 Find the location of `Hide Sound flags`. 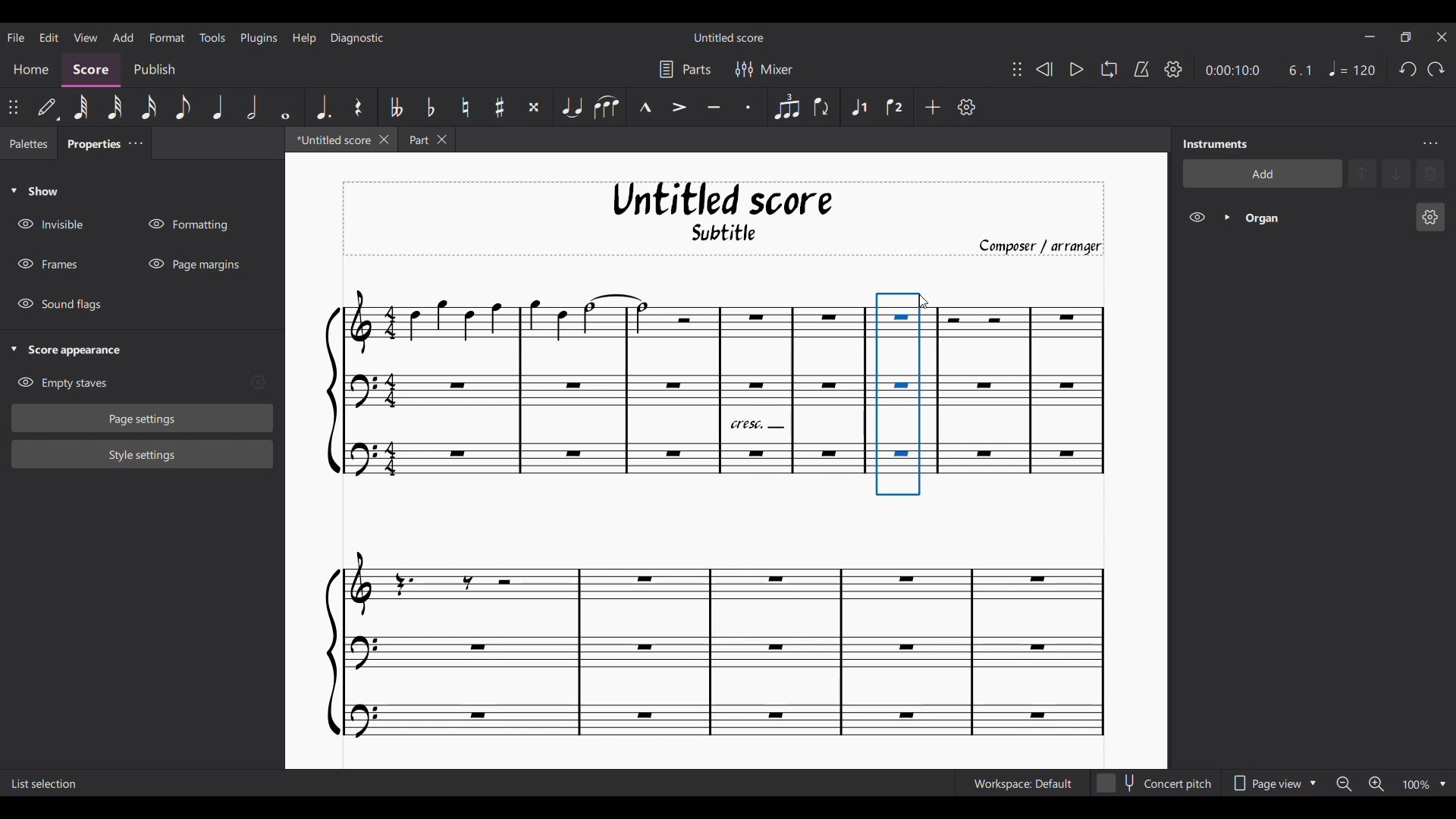

Hide Sound flags is located at coordinates (58, 305).